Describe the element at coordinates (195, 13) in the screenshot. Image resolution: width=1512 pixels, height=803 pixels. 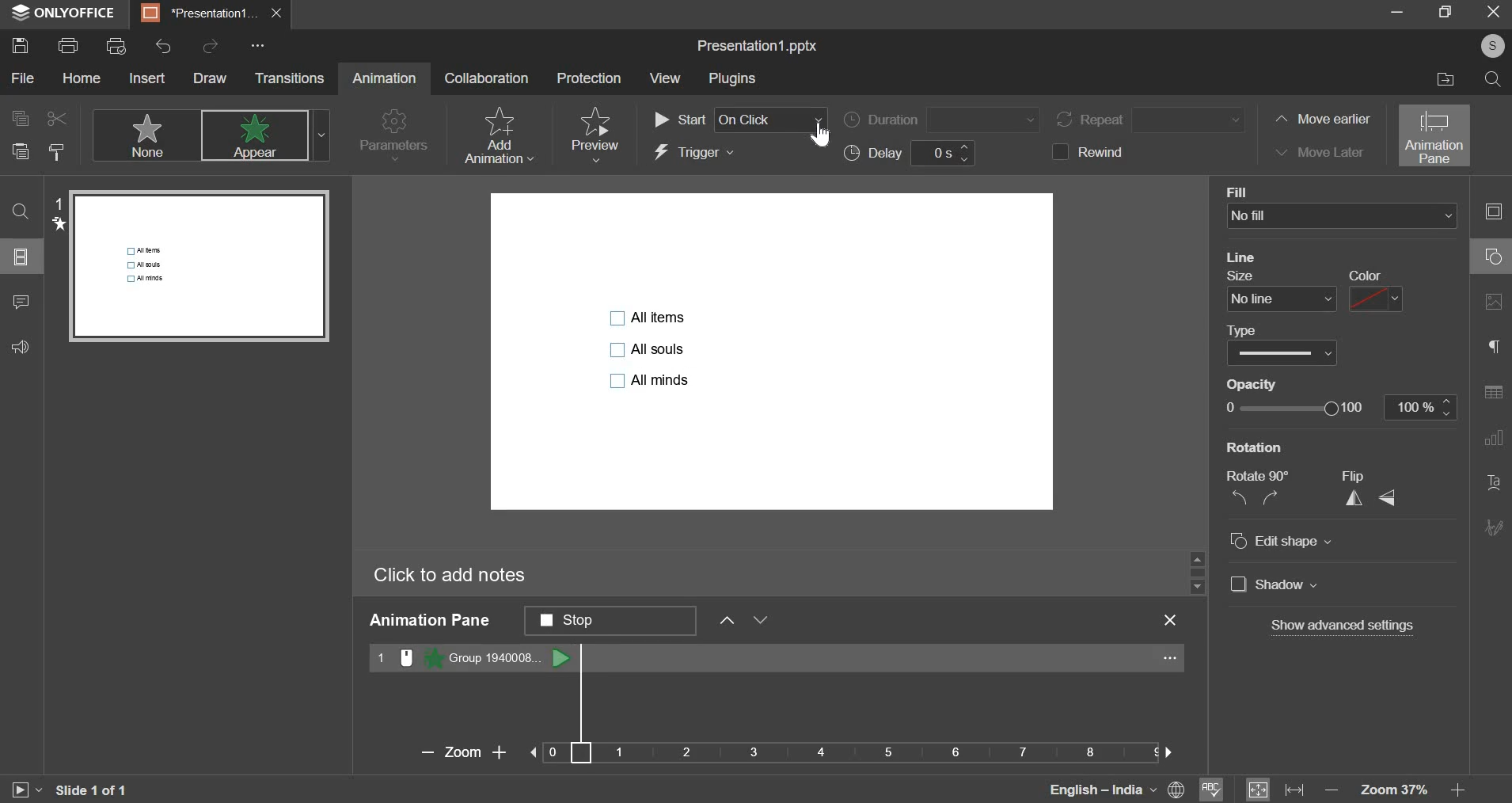
I see `presentation1` at that location.